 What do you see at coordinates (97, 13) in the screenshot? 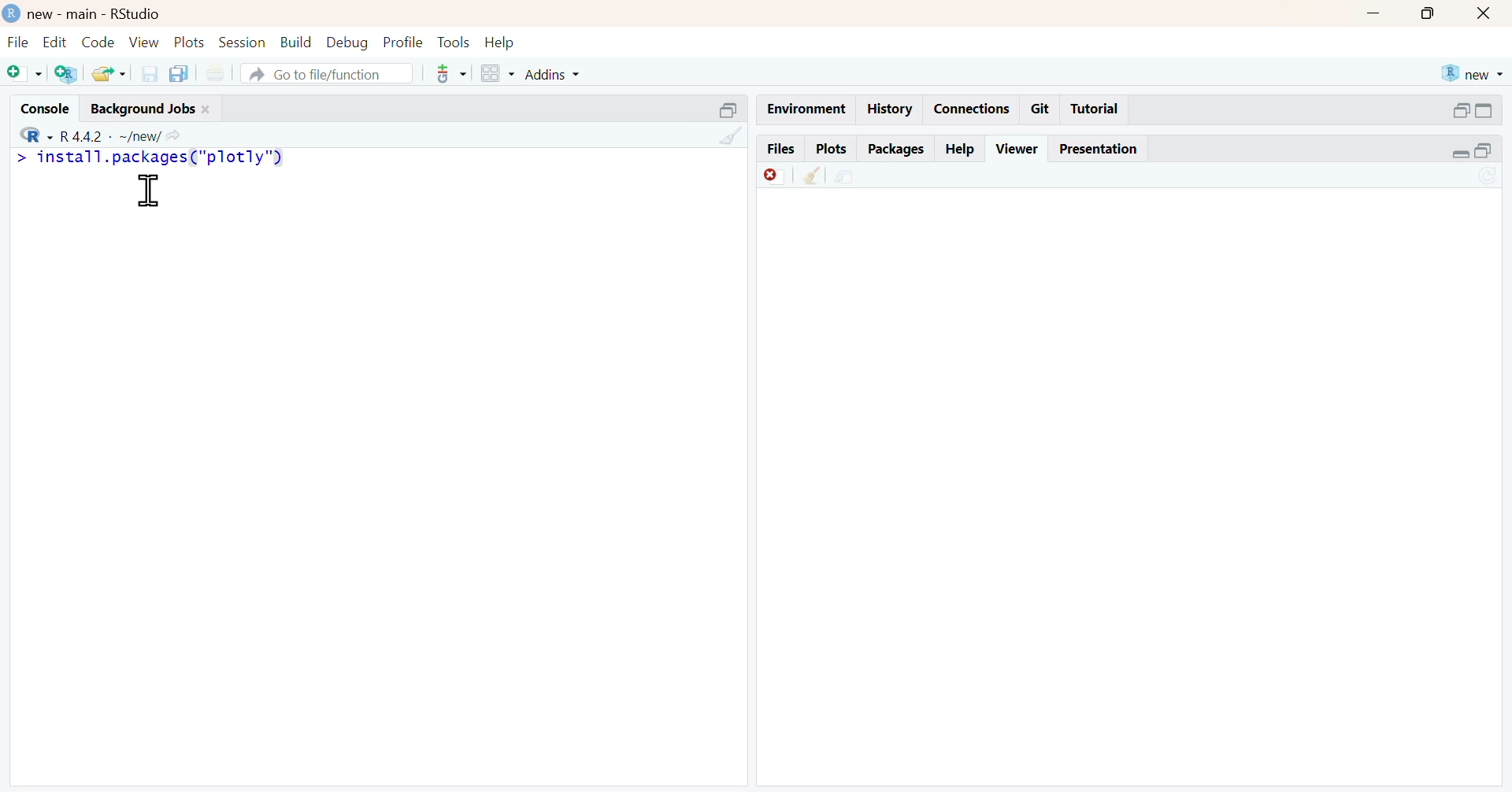
I see `new-main-RStudio` at bounding box center [97, 13].